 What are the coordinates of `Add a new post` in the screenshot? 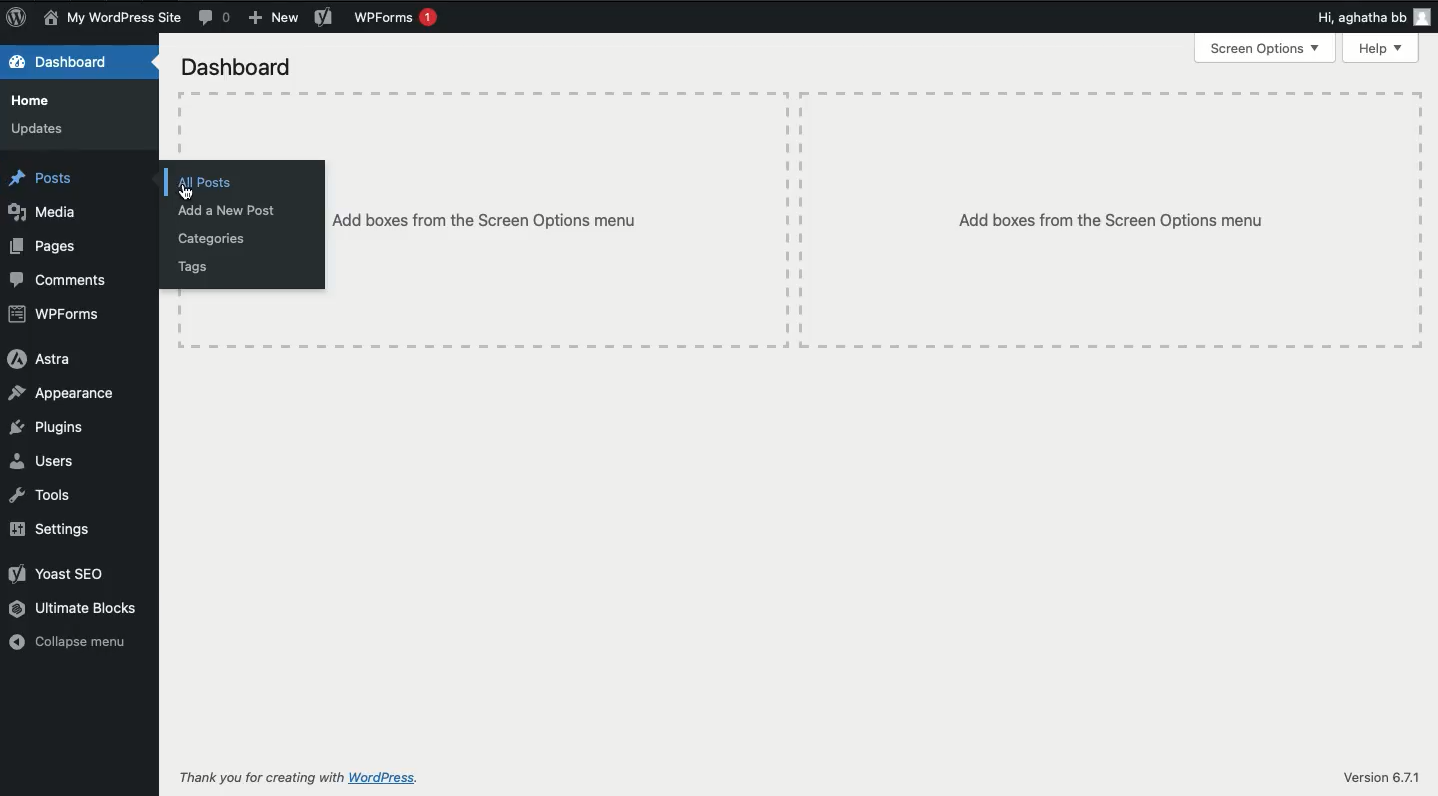 It's located at (228, 211).